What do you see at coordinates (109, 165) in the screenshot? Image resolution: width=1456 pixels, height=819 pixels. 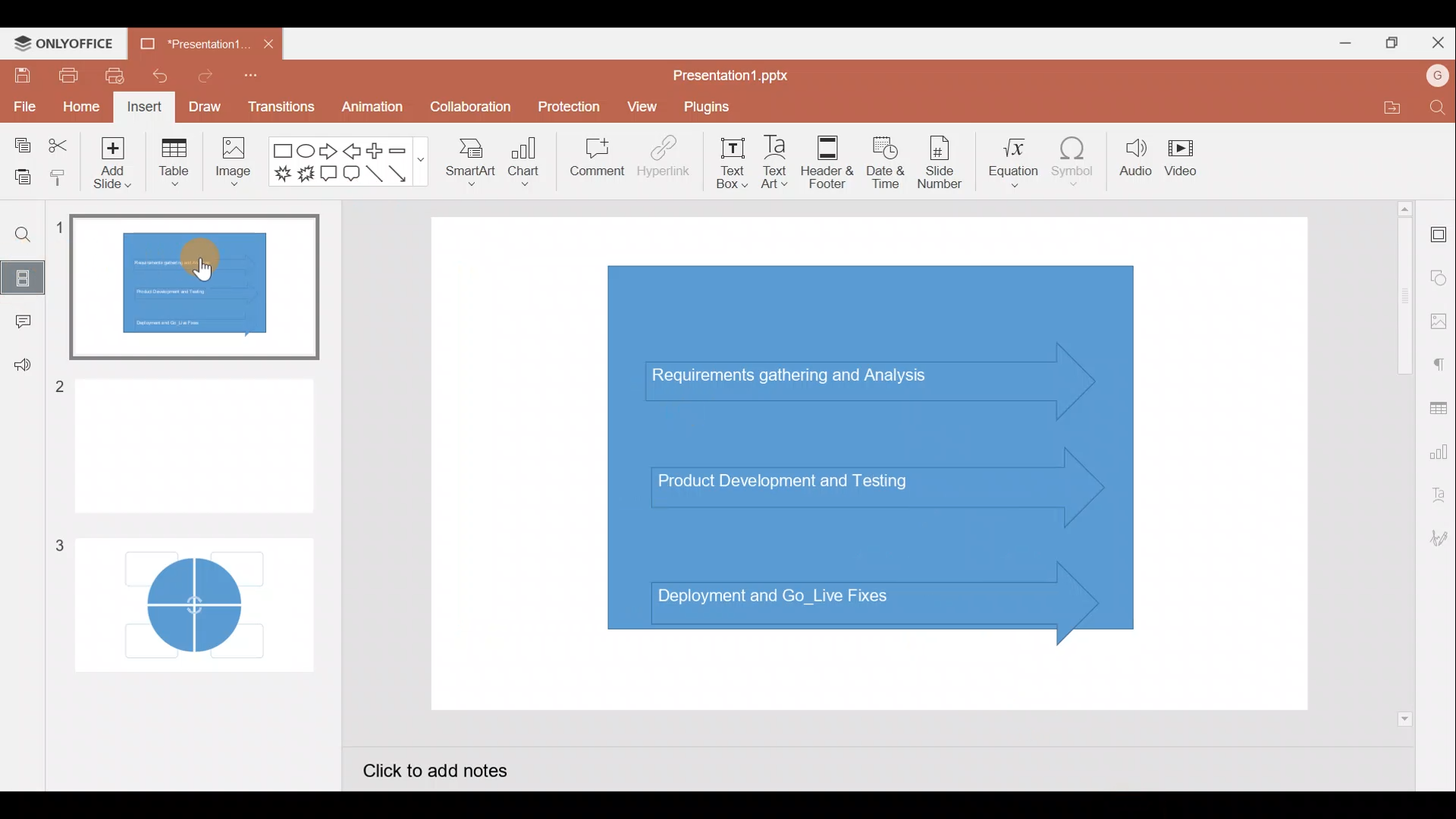 I see `Add slide` at bounding box center [109, 165].